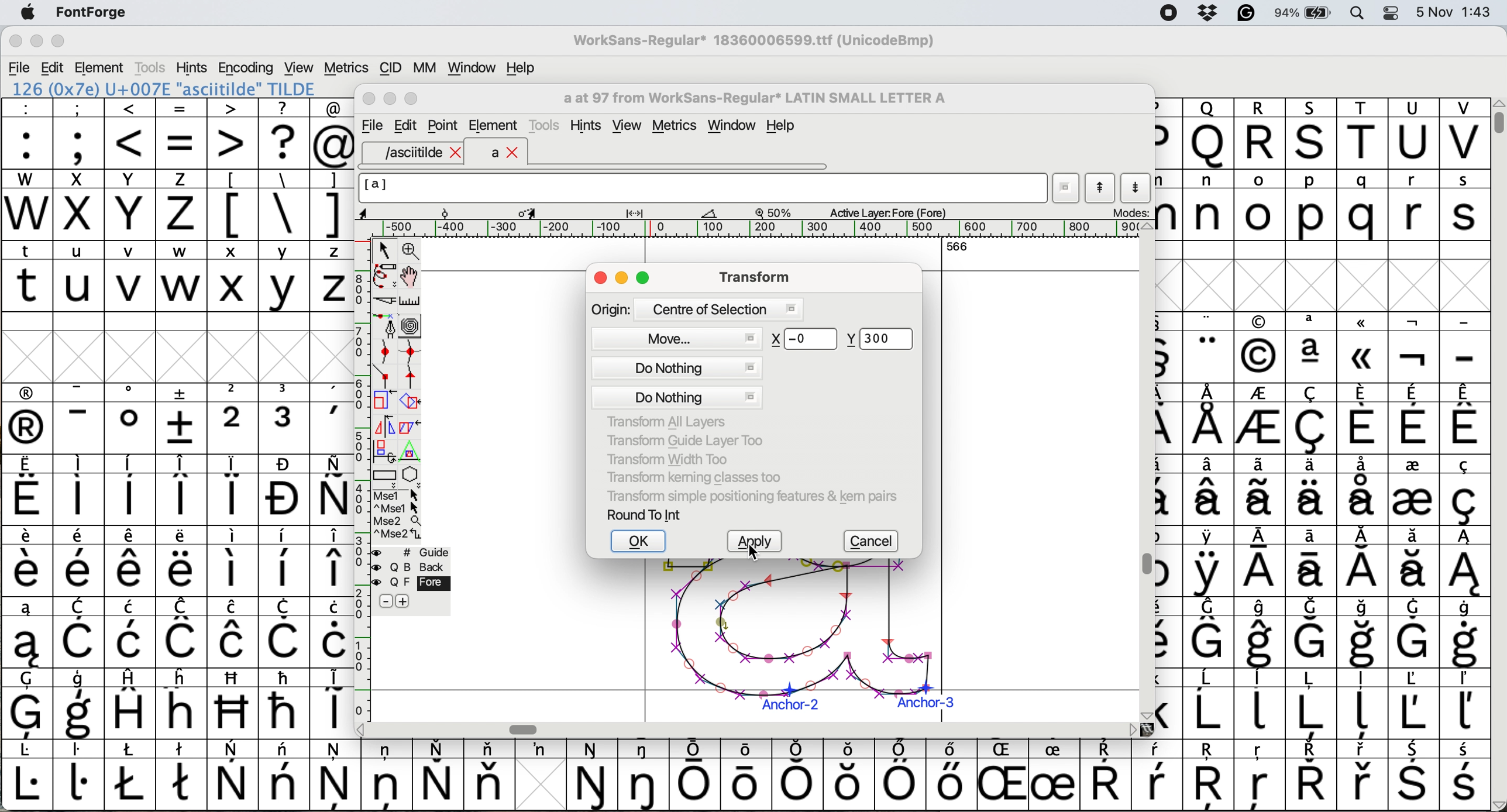  What do you see at coordinates (25, 633) in the screenshot?
I see `symbol` at bounding box center [25, 633].